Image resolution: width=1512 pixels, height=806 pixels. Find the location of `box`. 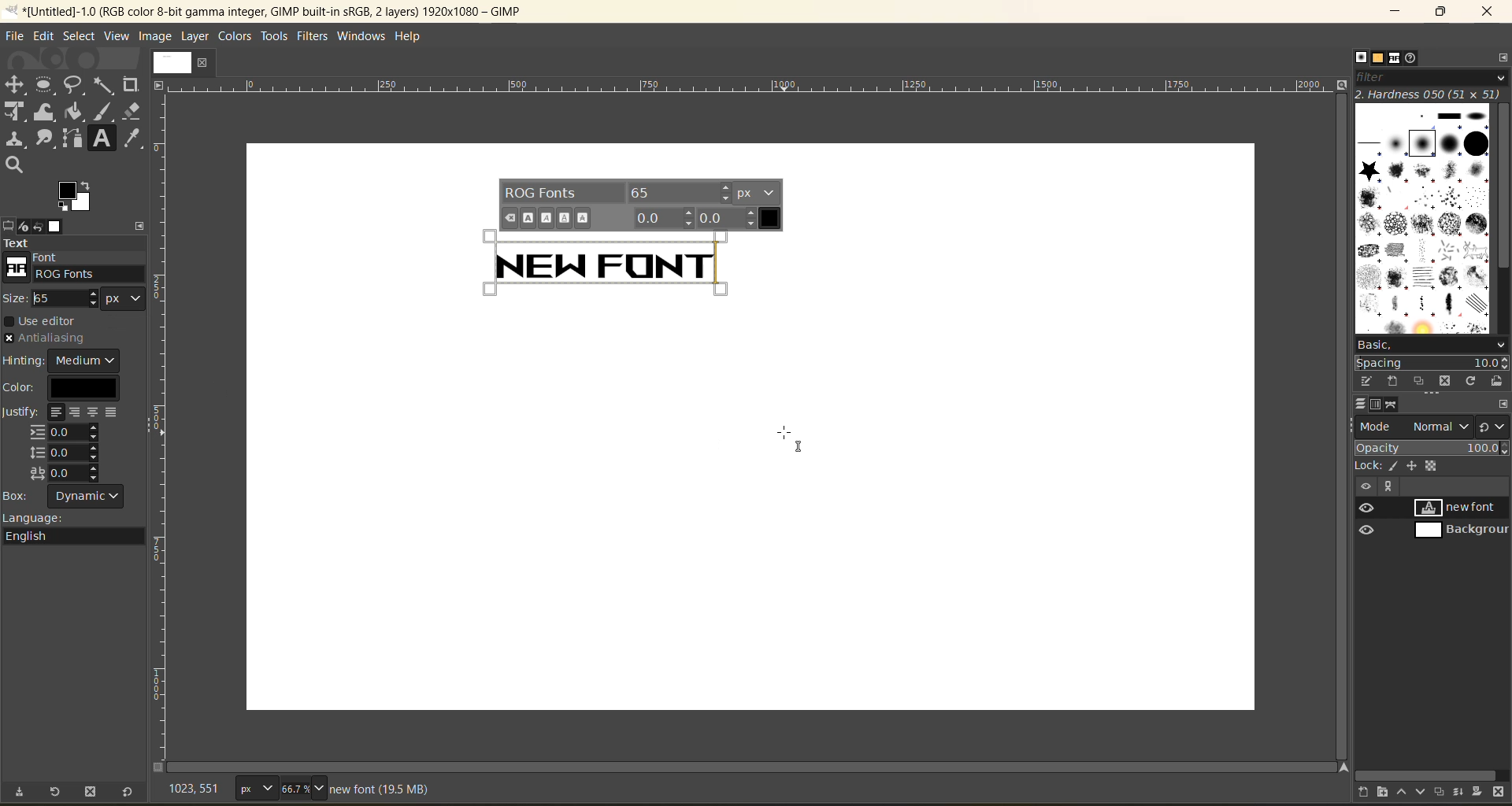

box is located at coordinates (65, 494).